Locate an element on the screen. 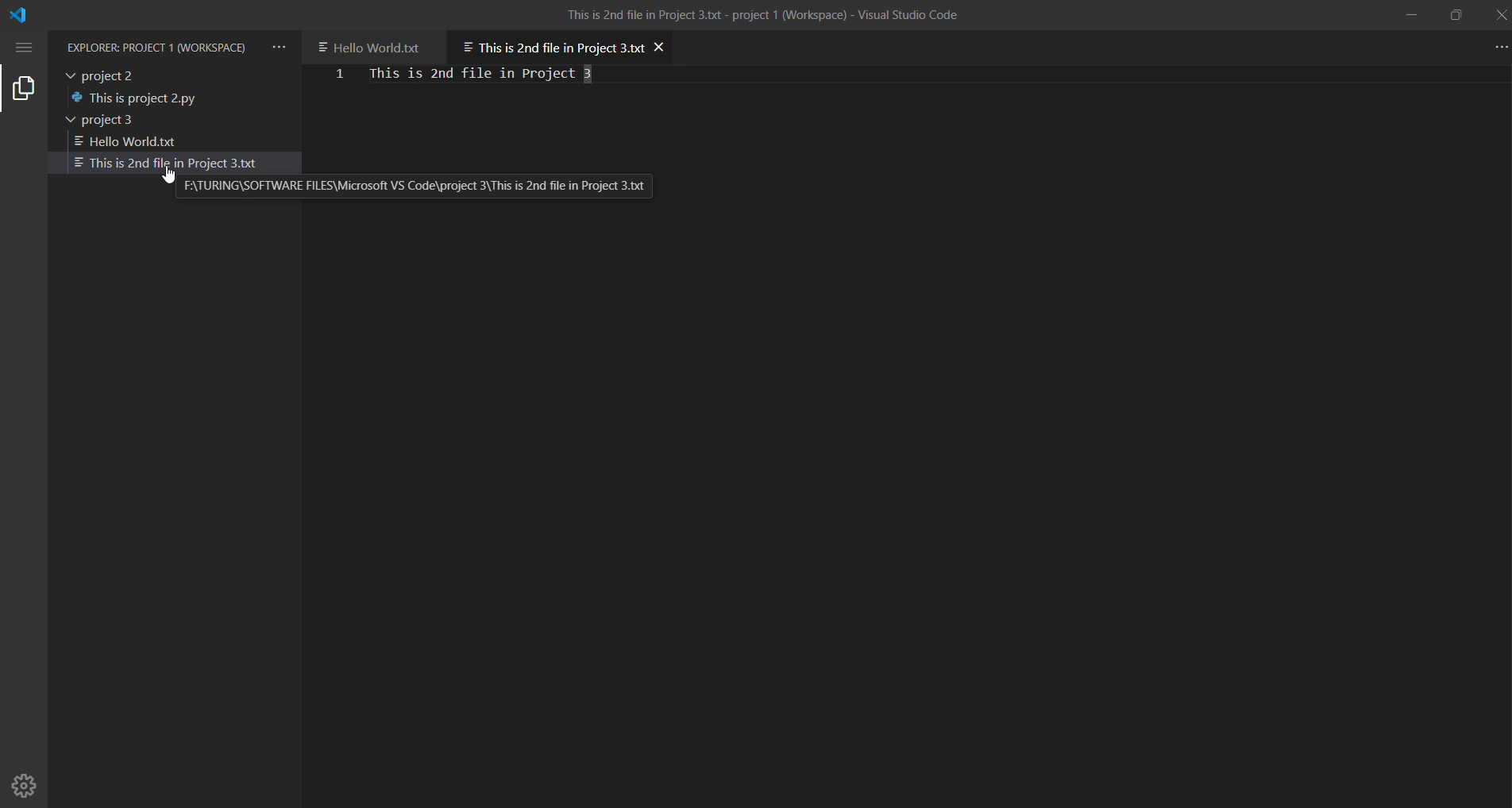 Image resolution: width=1512 pixels, height=808 pixels. explorer tab is located at coordinates (24, 87).